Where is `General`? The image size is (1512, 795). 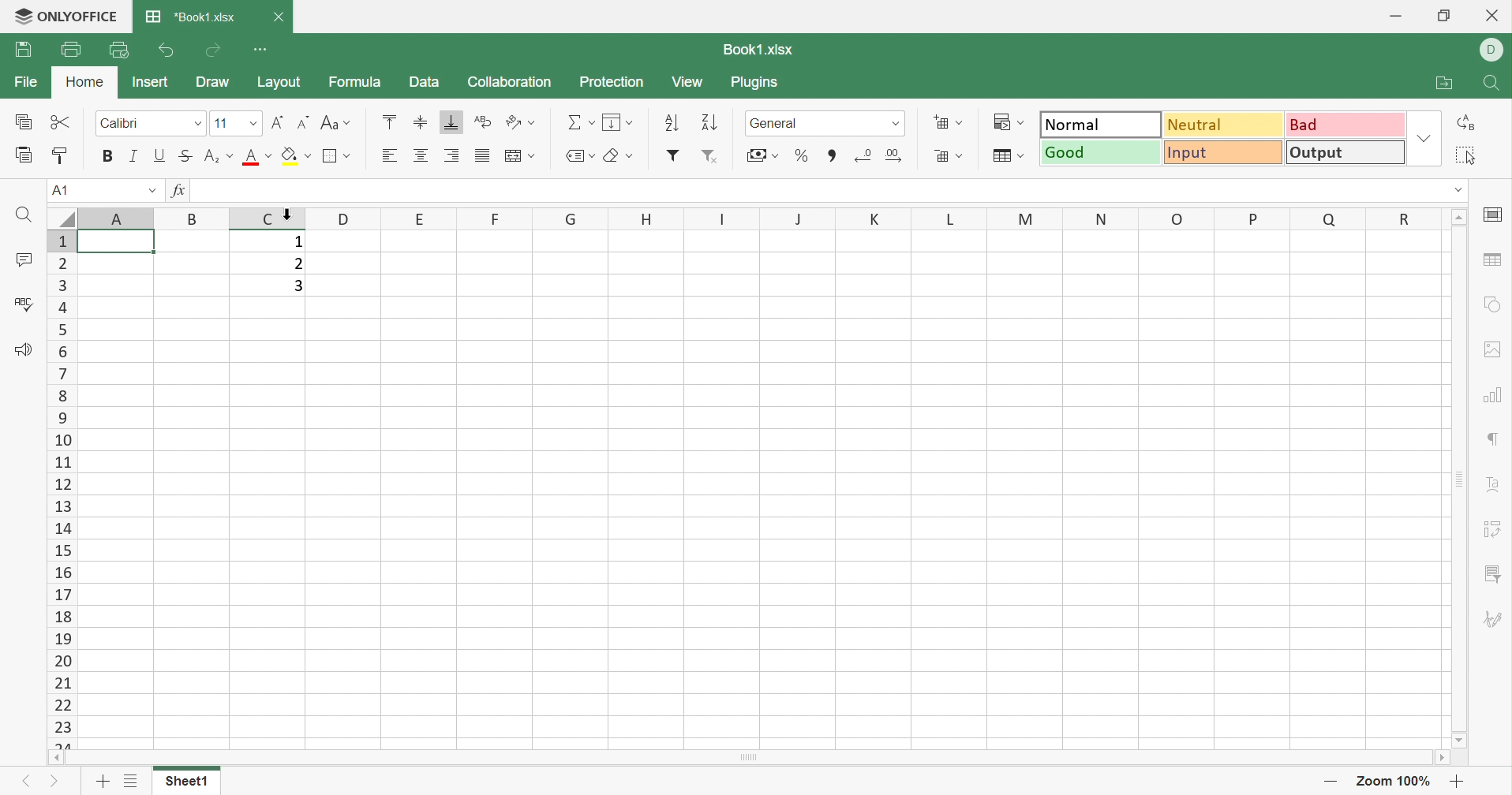 General is located at coordinates (781, 125).